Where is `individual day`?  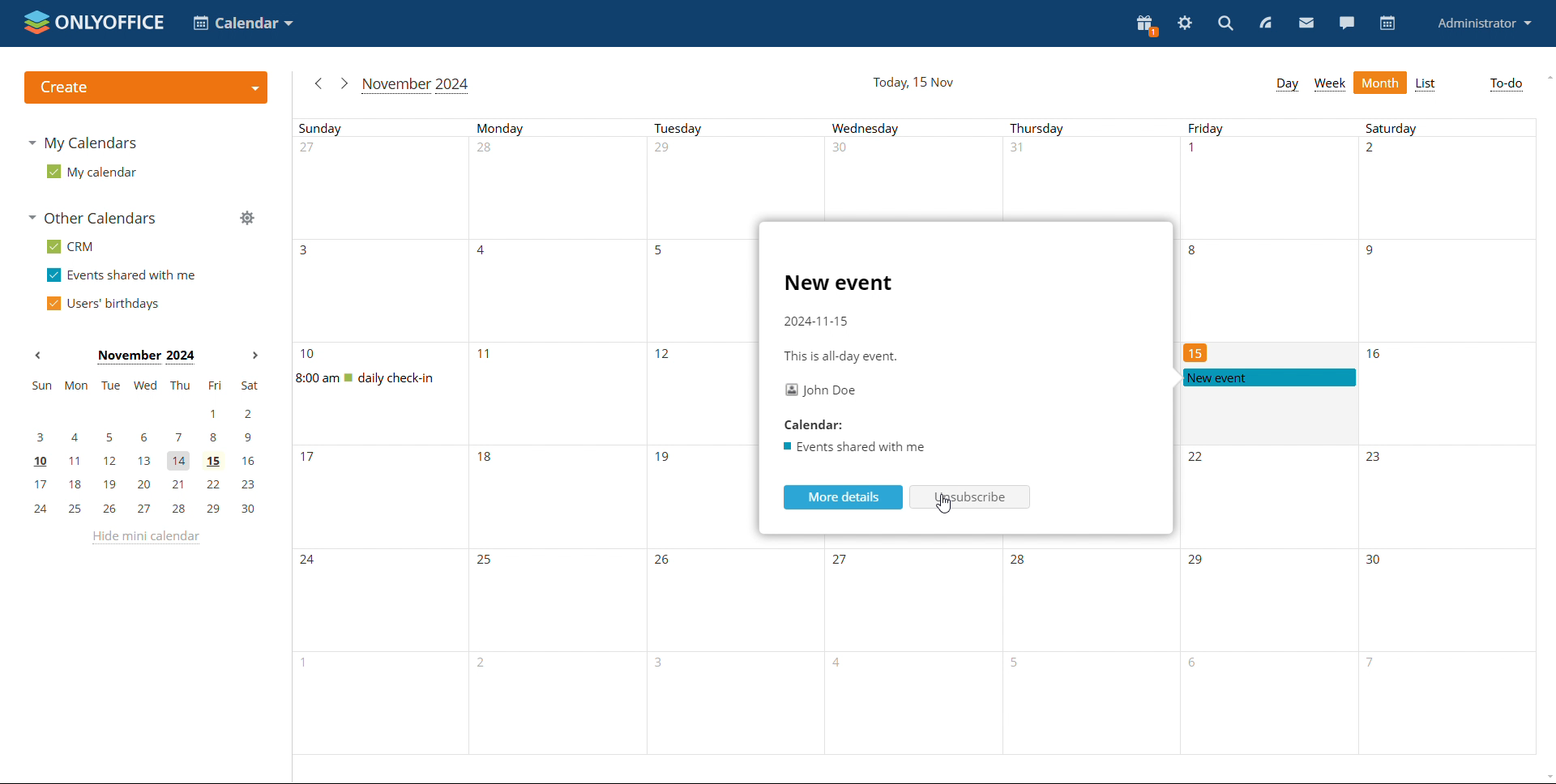 individual day is located at coordinates (914, 128).